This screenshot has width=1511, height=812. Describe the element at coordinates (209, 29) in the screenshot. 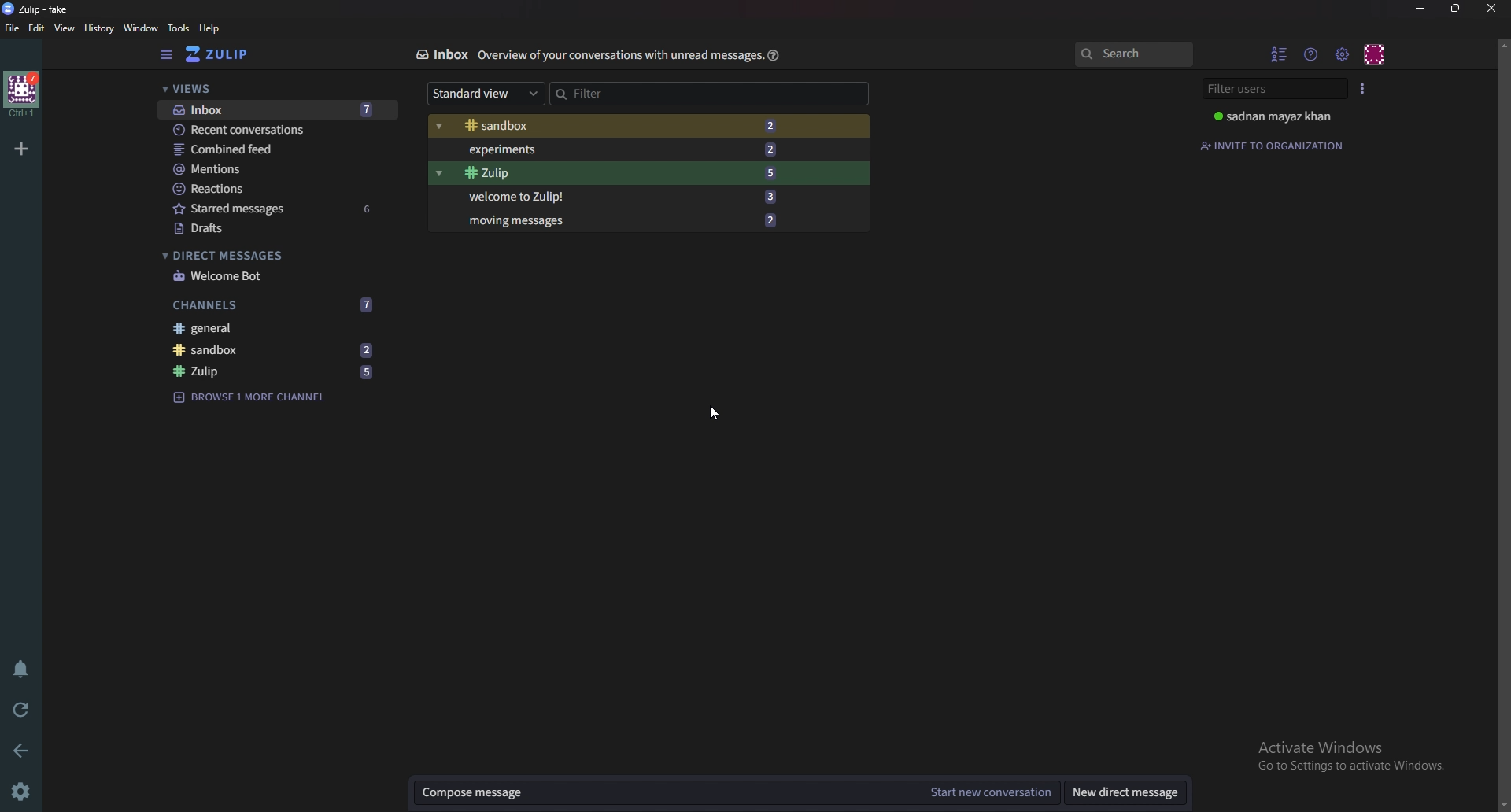

I see `help` at that location.